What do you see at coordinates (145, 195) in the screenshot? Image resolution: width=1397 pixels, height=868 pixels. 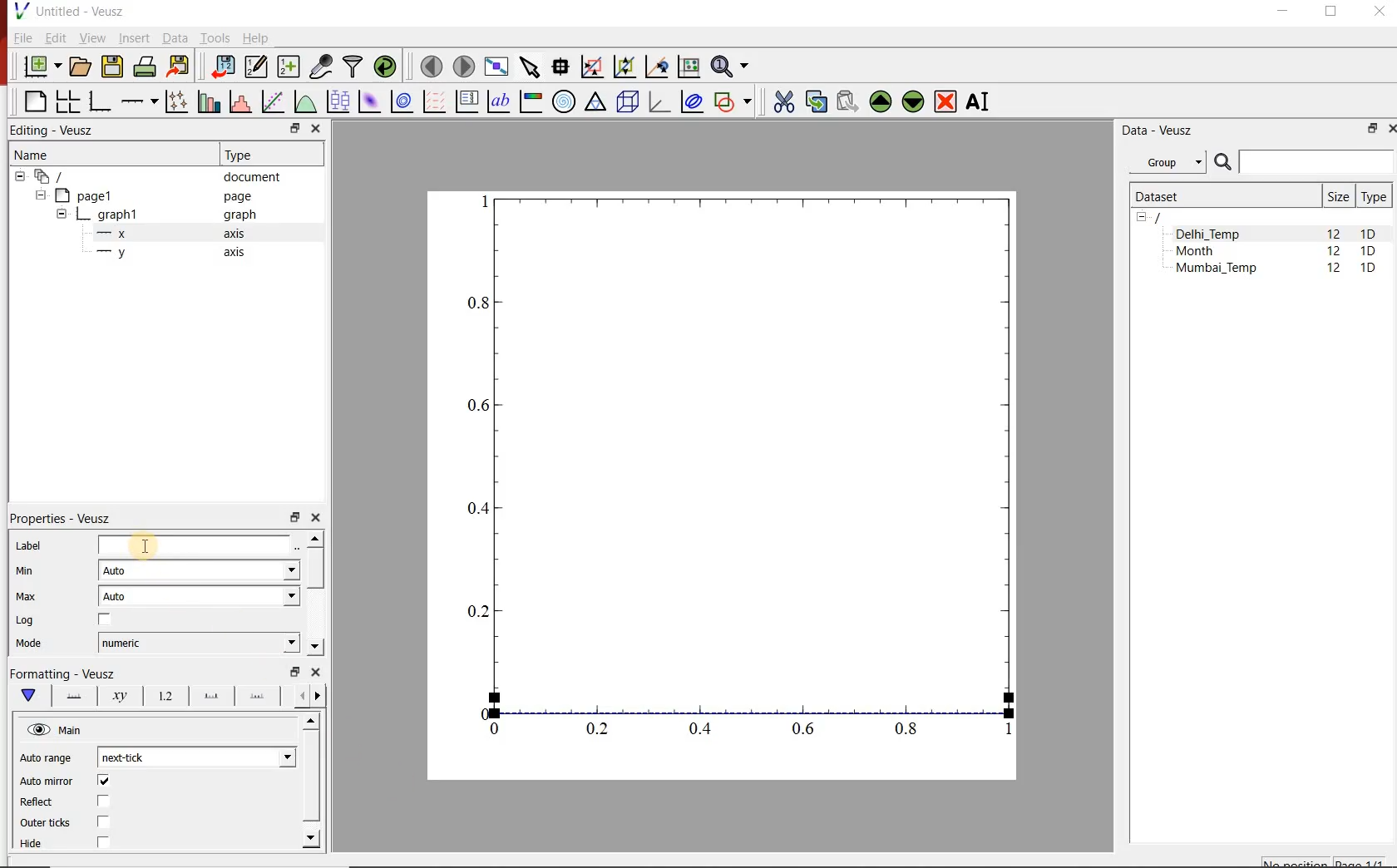 I see `Page1` at bounding box center [145, 195].